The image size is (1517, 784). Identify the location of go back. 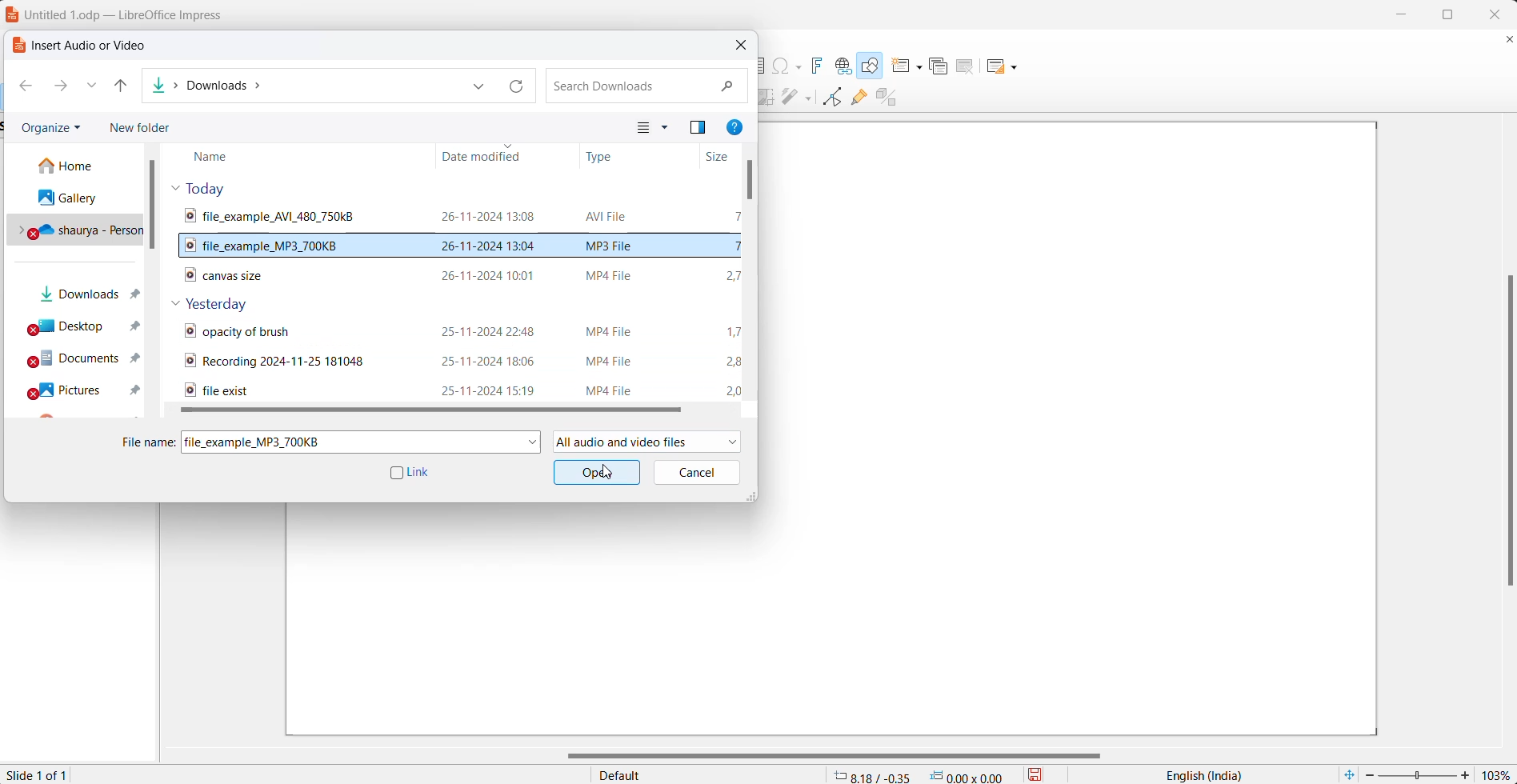
(27, 86).